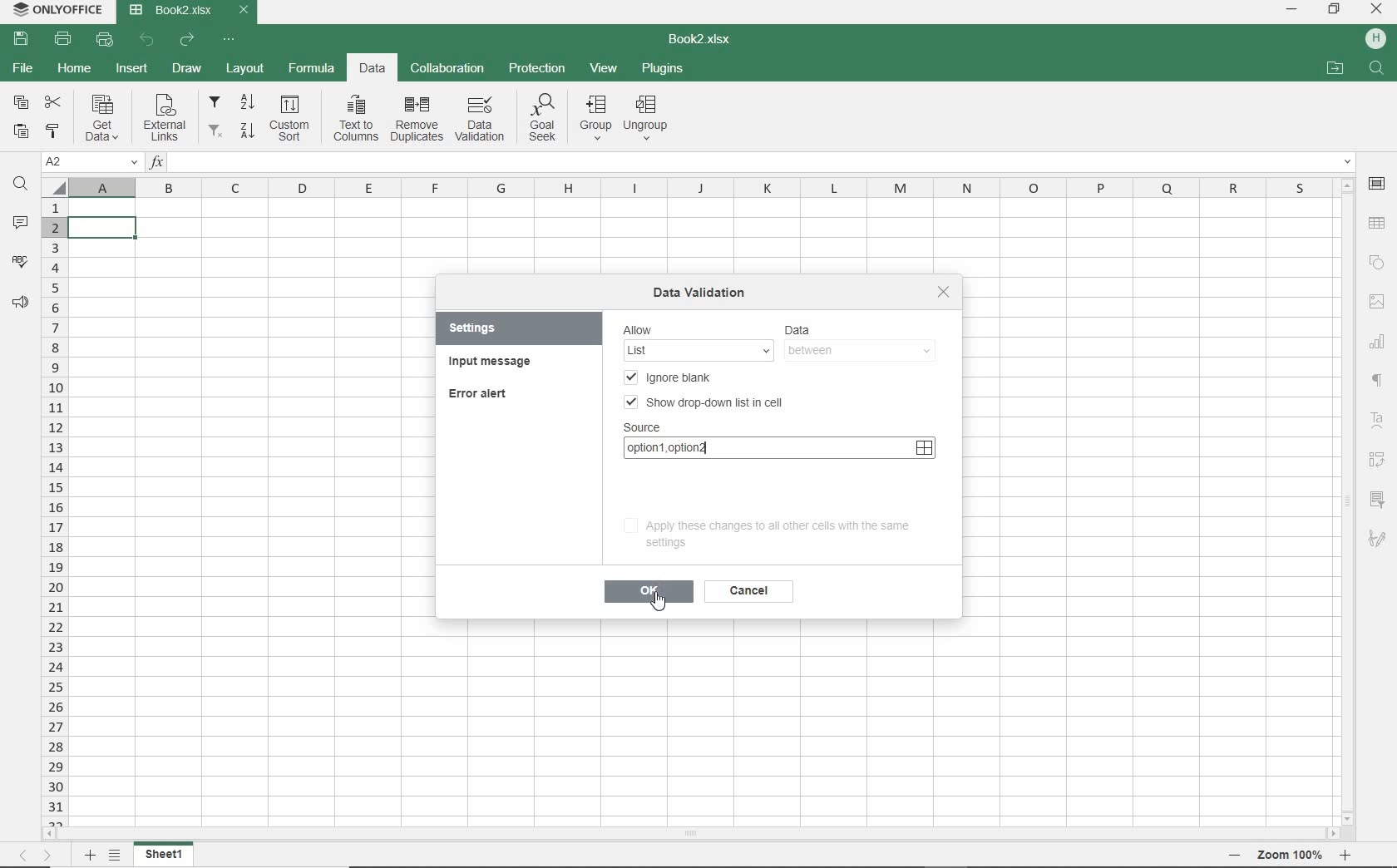 Image resolution: width=1397 pixels, height=868 pixels. What do you see at coordinates (76, 70) in the screenshot?
I see `HOME` at bounding box center [76, 70].